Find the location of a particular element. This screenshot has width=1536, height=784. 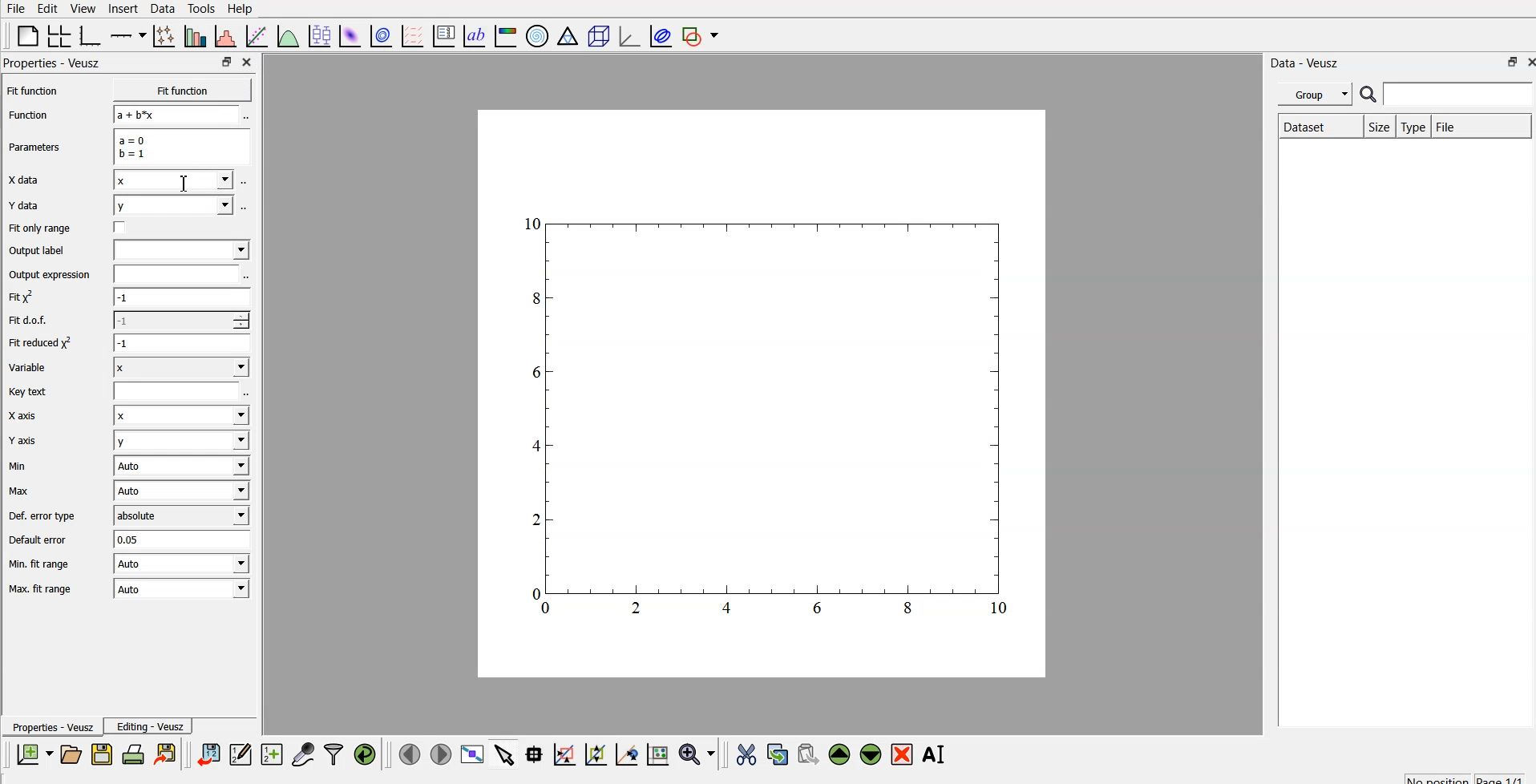

paste the selected widget is located at coordinates (807, 754).